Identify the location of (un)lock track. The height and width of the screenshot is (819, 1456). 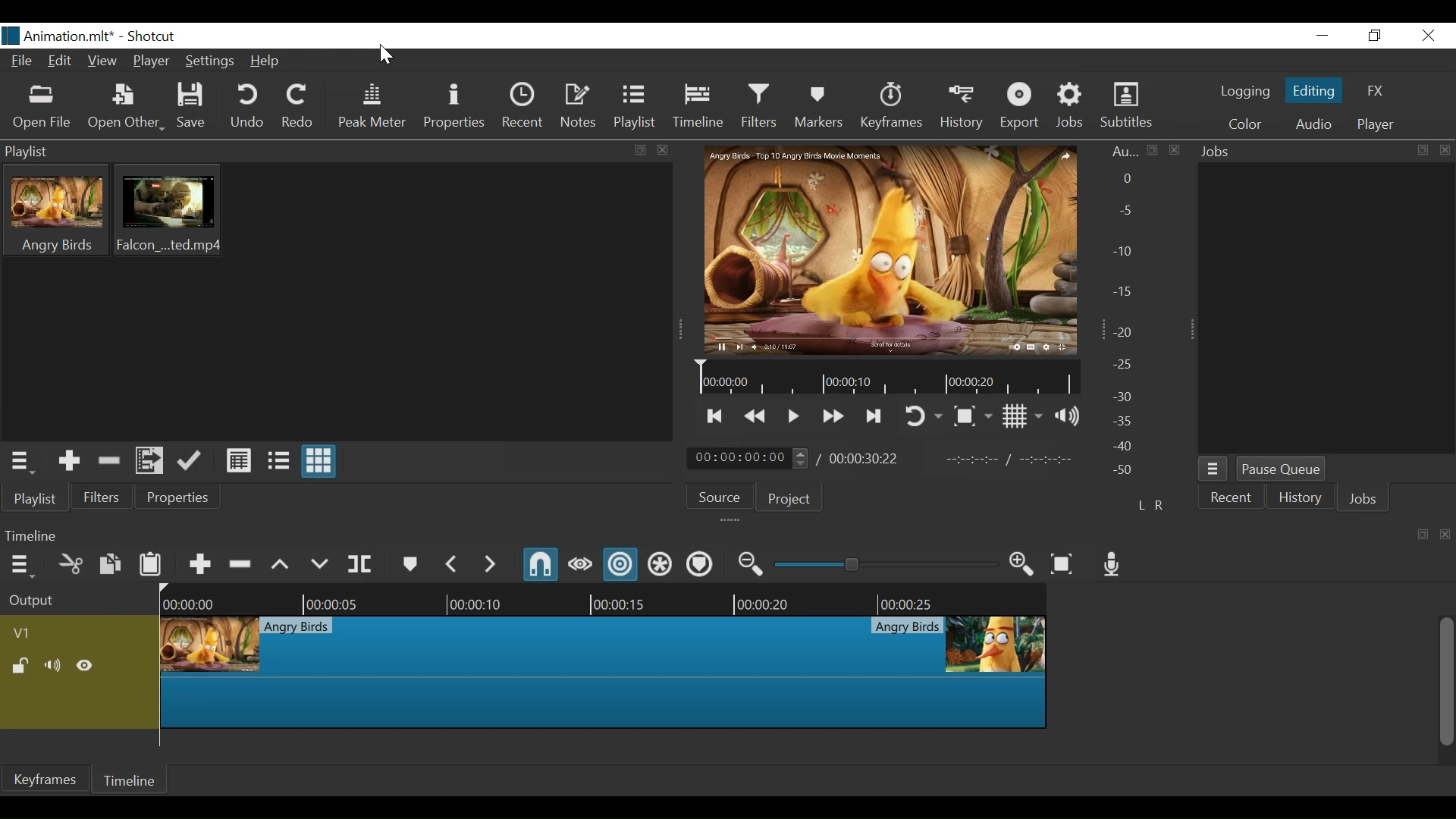
(21, 666).